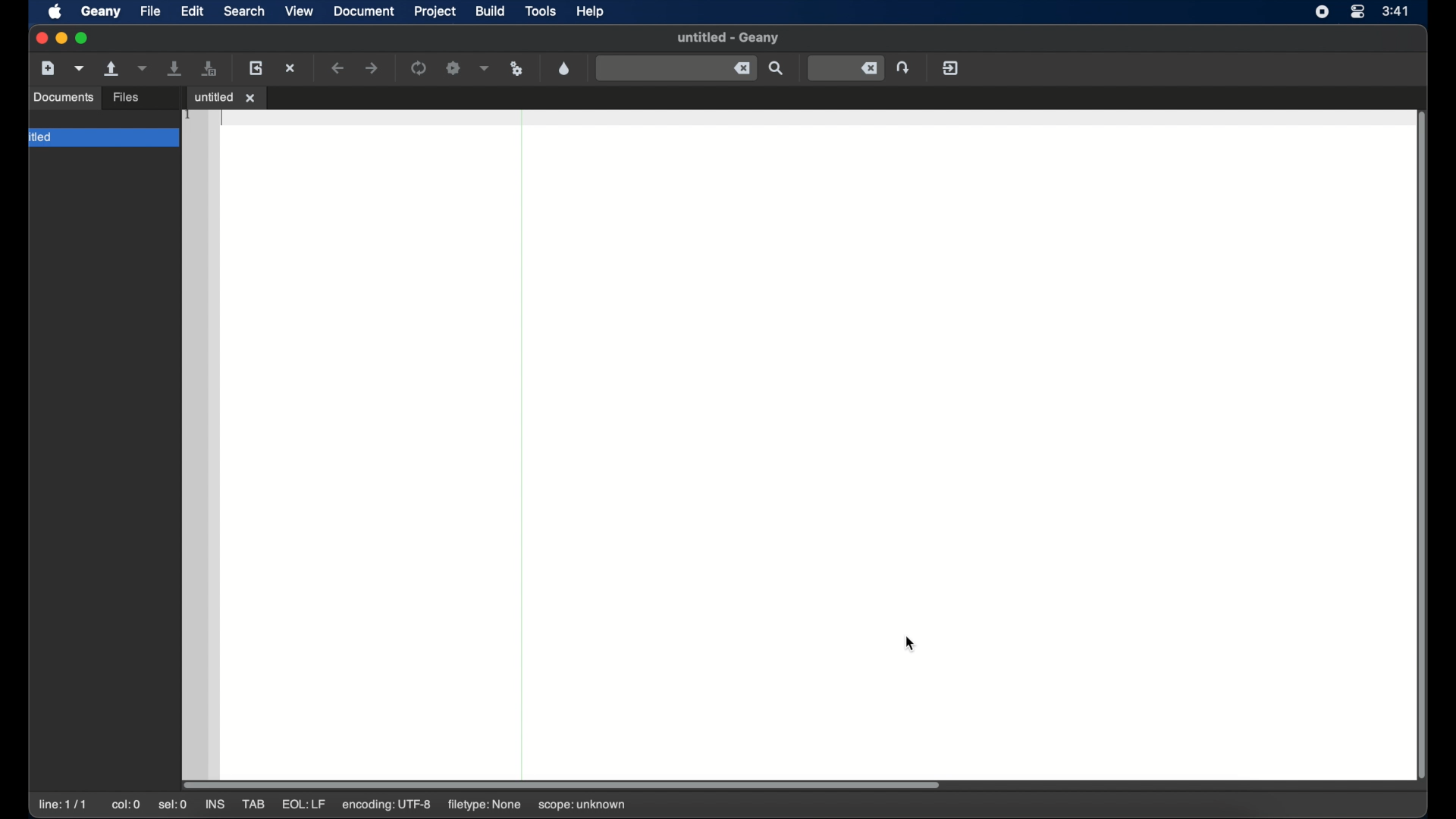 This screenshot has width=1456, height=819. What do you see at coordinates (950, 68) in the screenshot?
I see `quit geany` at bounding box center [950, 68].